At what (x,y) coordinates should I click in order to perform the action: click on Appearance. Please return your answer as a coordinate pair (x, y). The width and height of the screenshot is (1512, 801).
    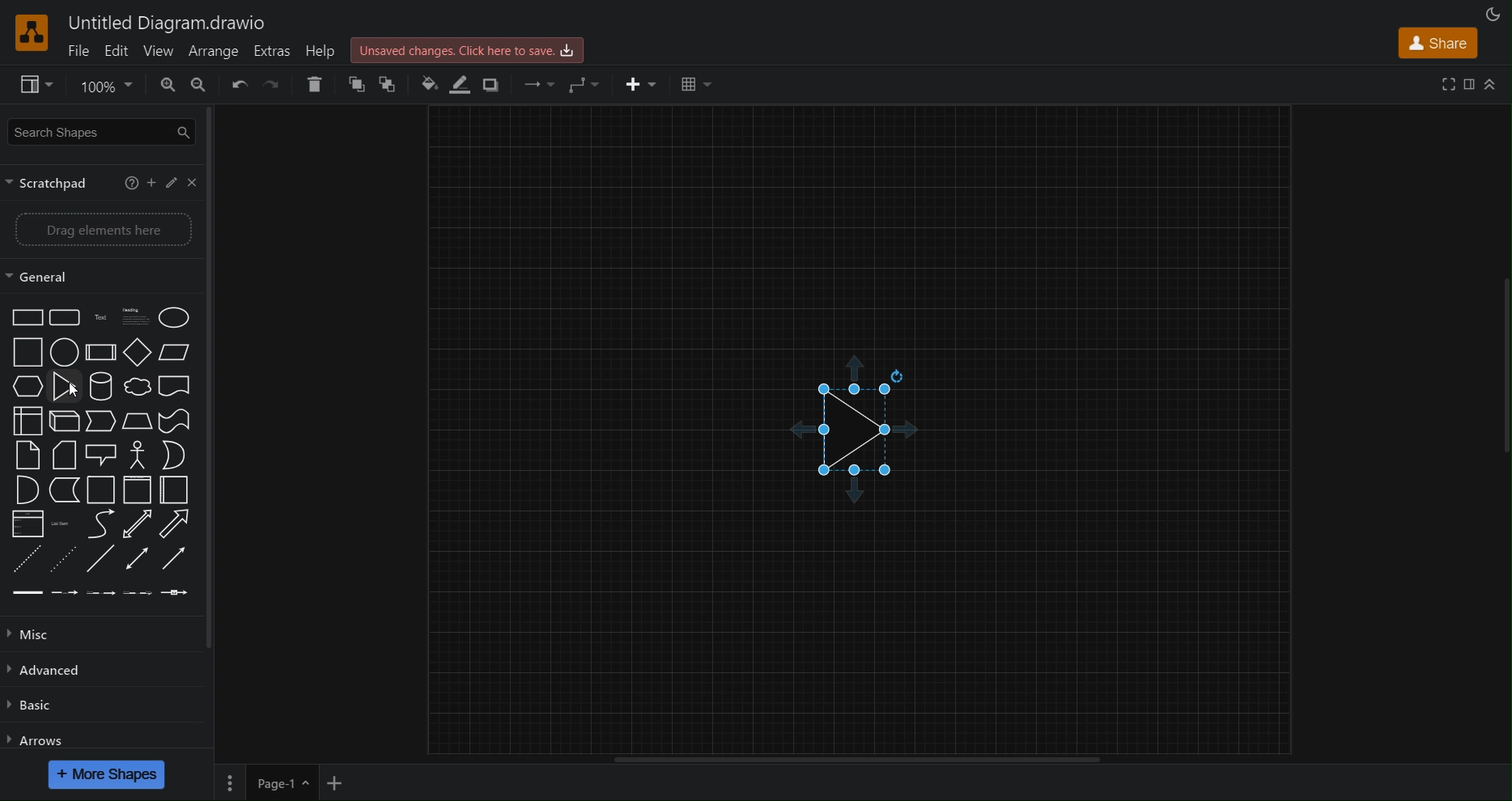
    Looking at the image, I should click on (1496, 13).